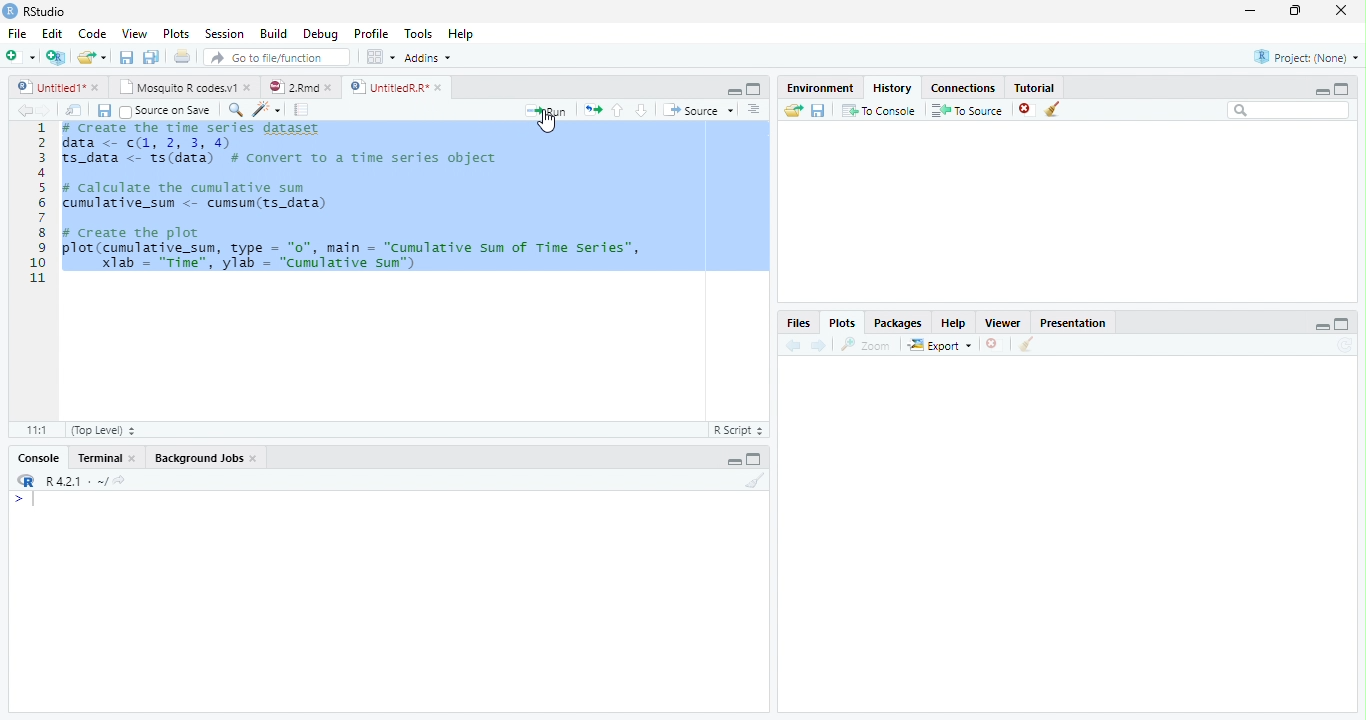  Describe the element at coordinates (548, 124) in the screenshot. I see `Cursor` at that location.